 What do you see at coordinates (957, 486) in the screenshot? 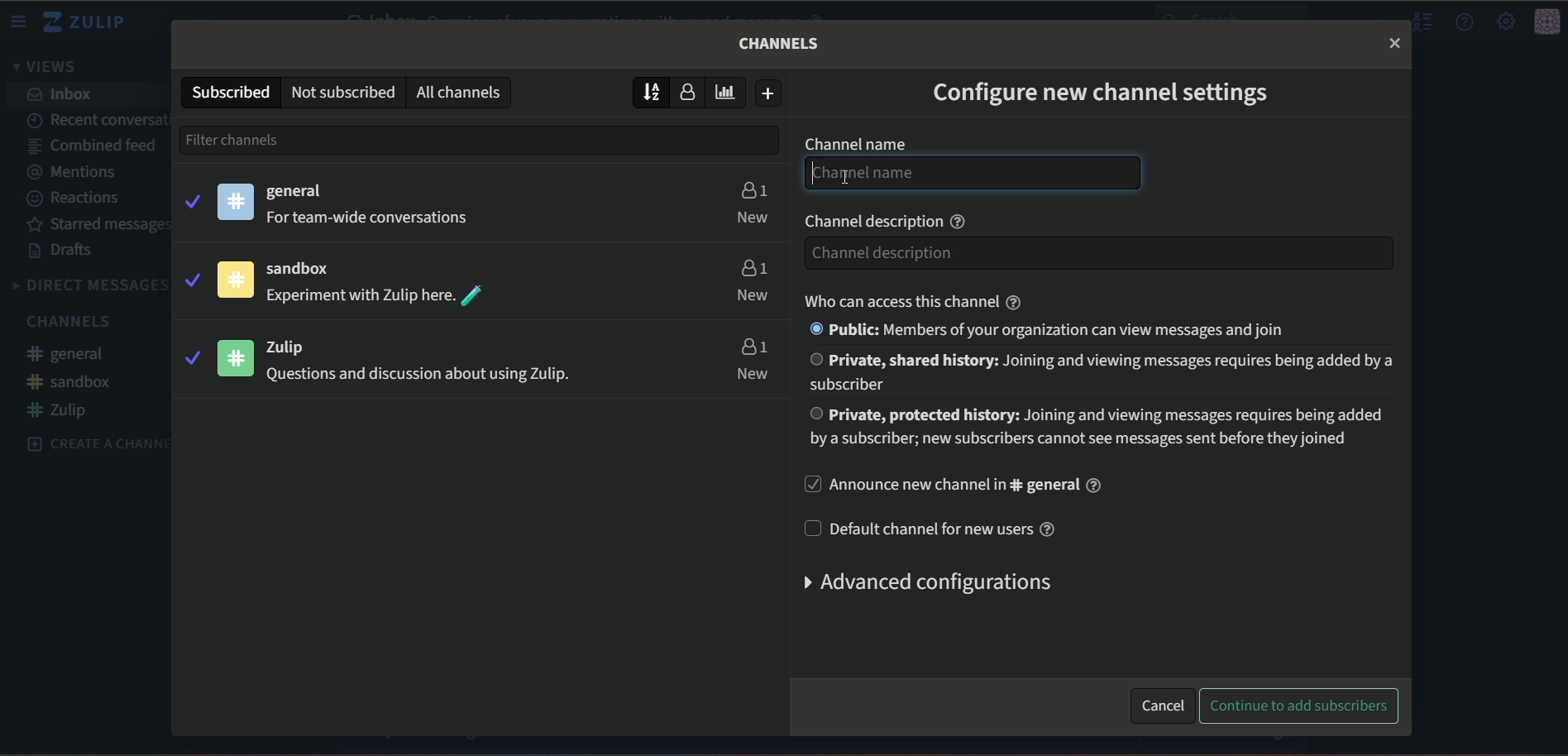
I see `Announce new channel in #general` at bounding box center [957, 486].